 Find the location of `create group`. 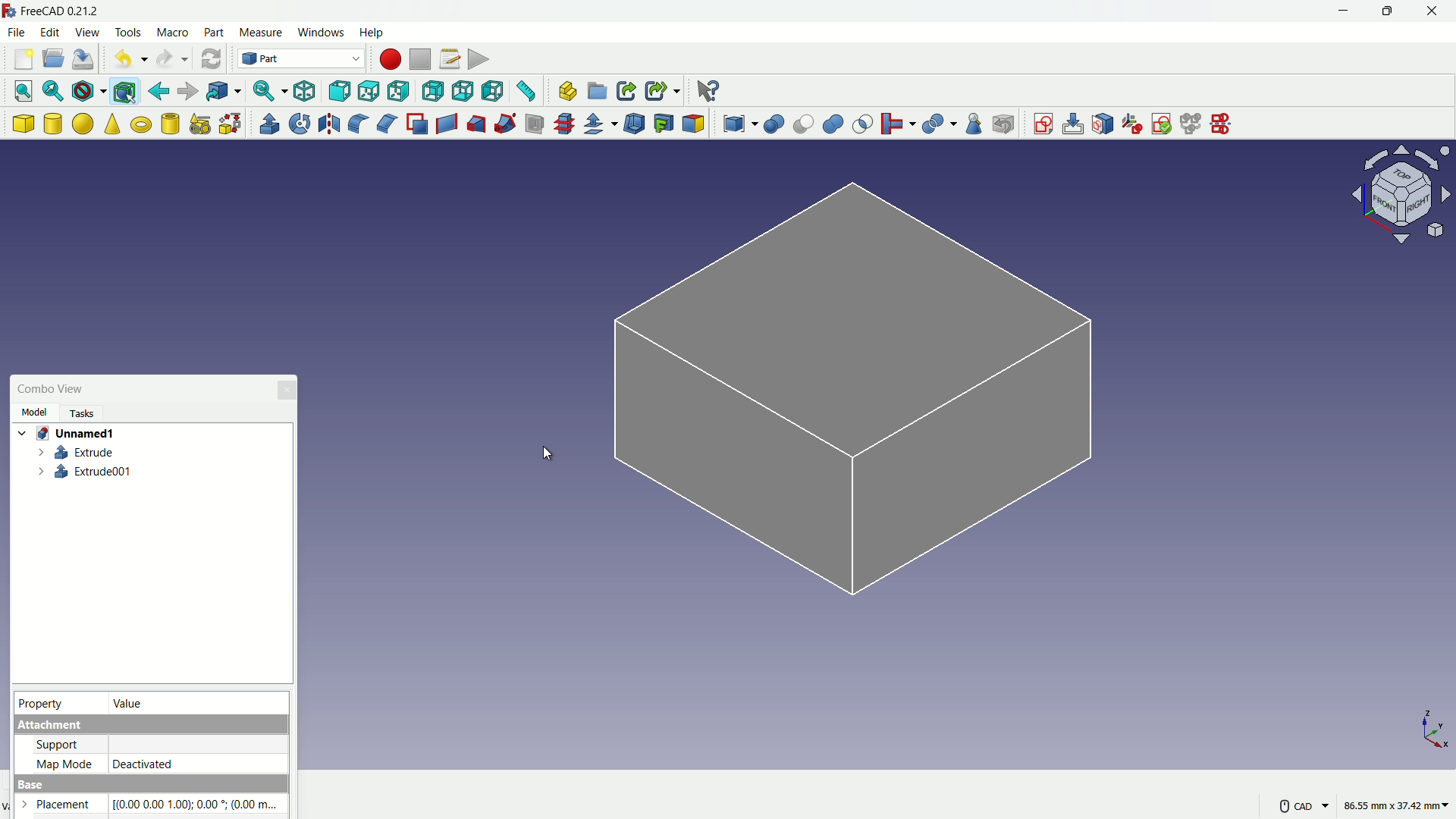

create group is located at coordinates (598, 92).